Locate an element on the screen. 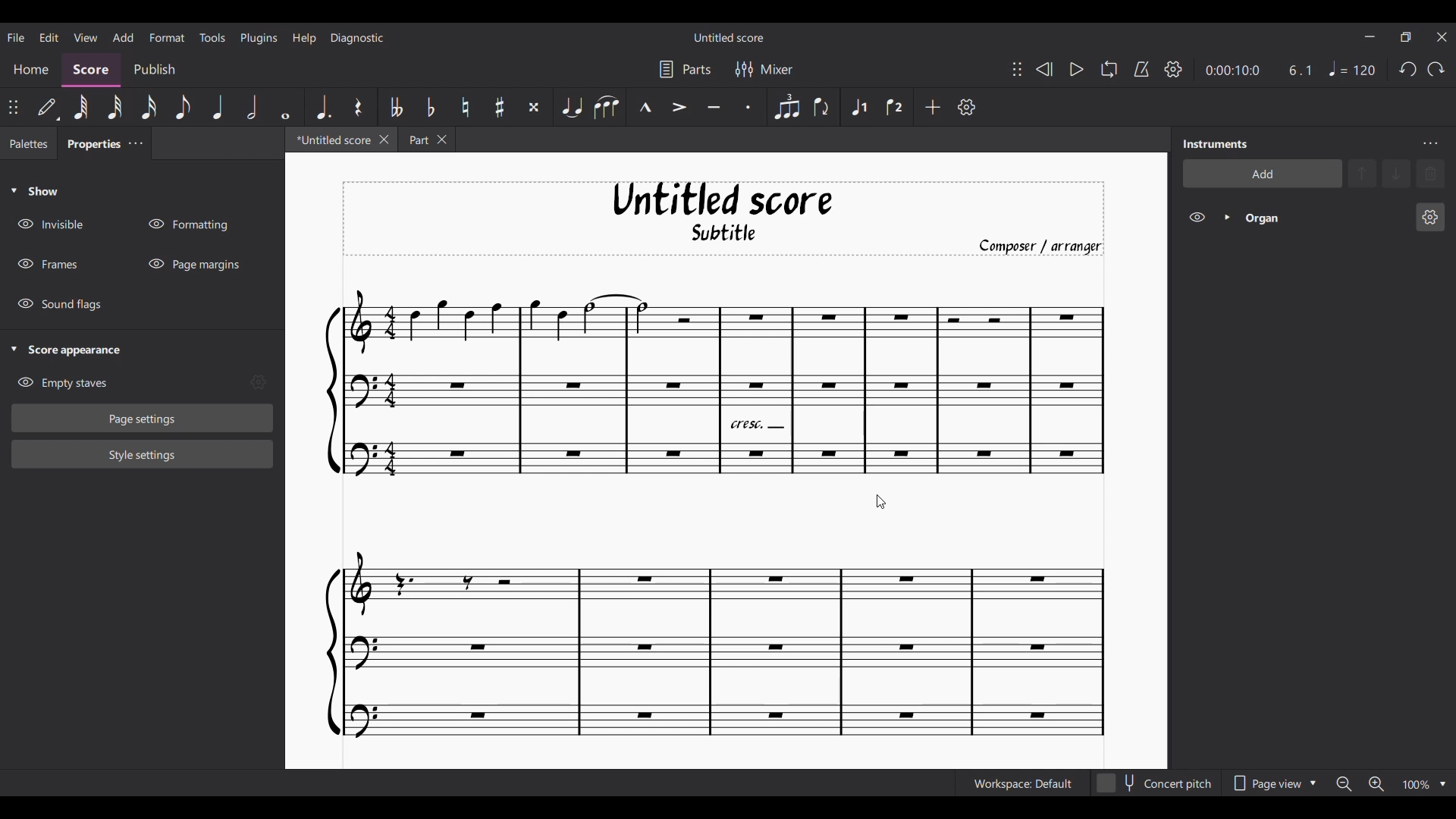 The image size is (1456, 819). Diagnostic menu is located at coordinates (358, 38).